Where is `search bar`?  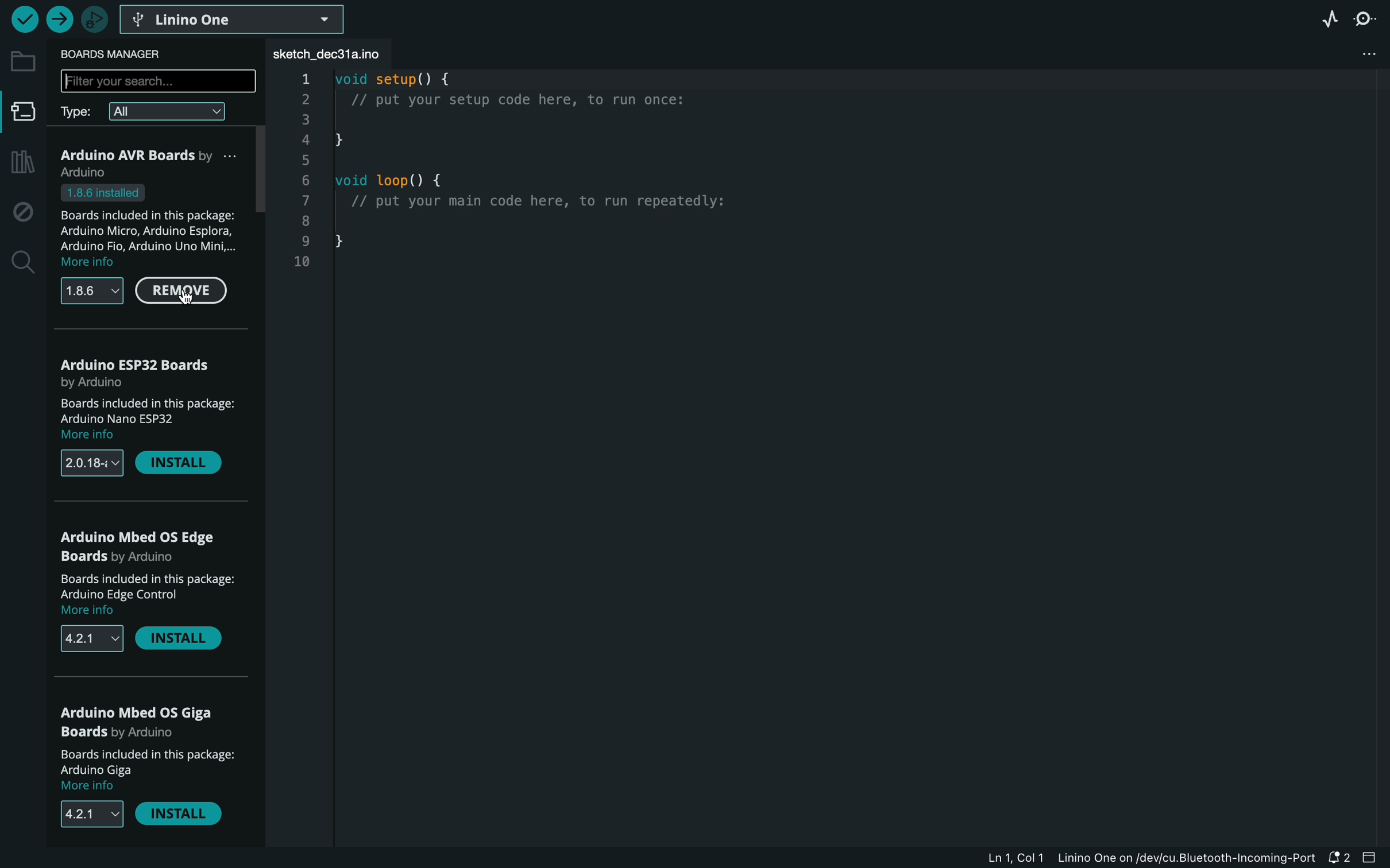
search bar is located at coordinates (159, 80).